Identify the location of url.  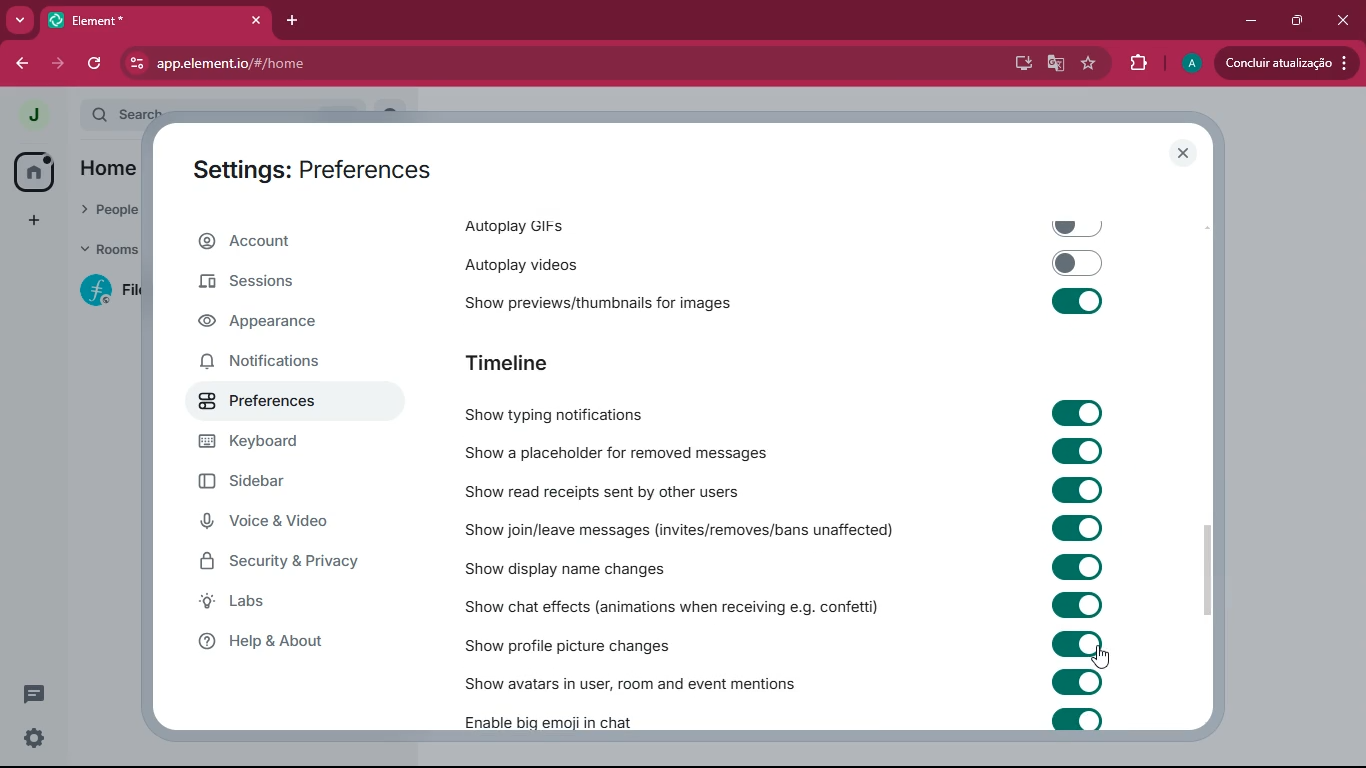
(289, 64).